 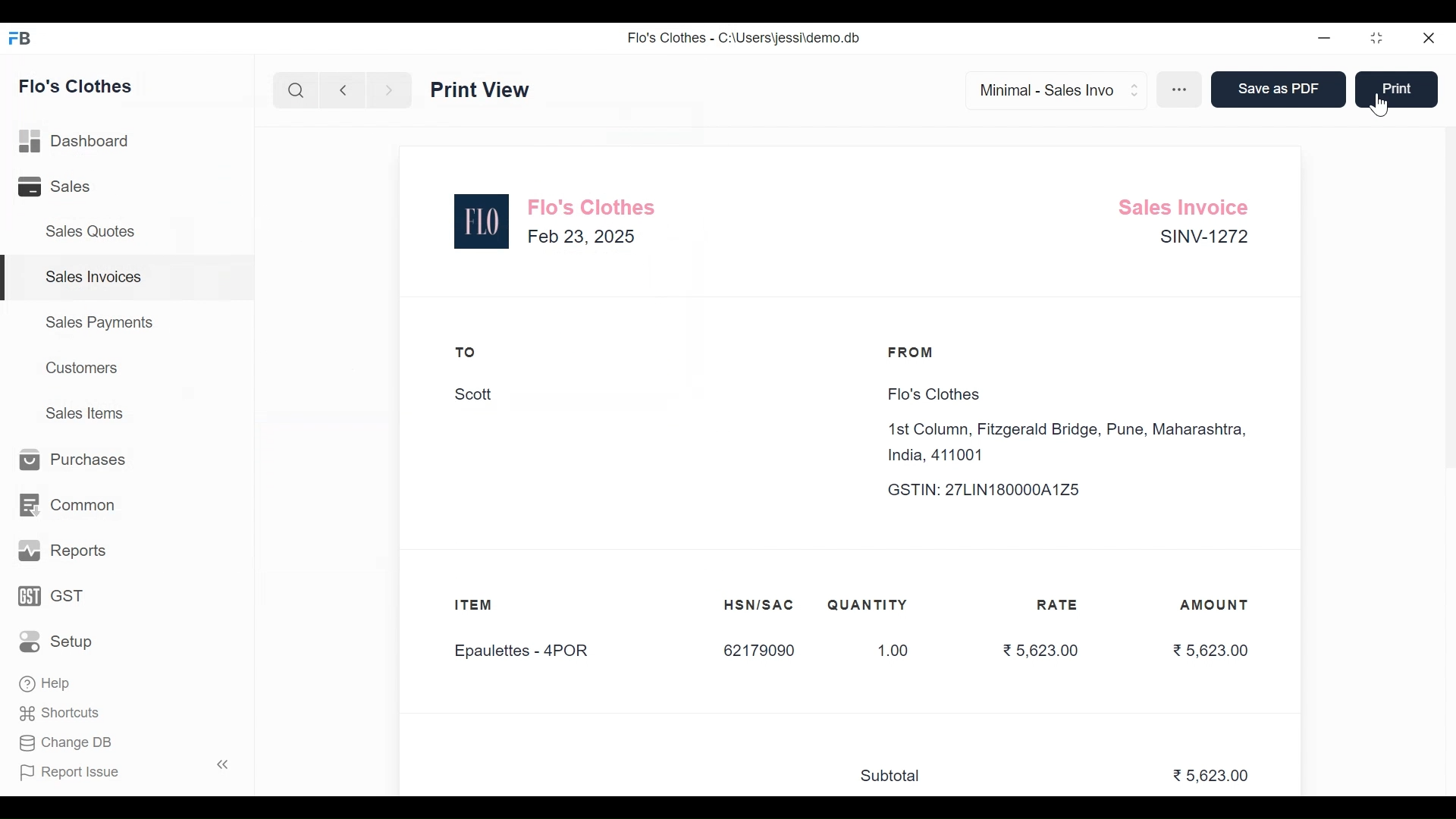 I want to click on Minimal - Sales Invo, so click(x=1050, y=89).